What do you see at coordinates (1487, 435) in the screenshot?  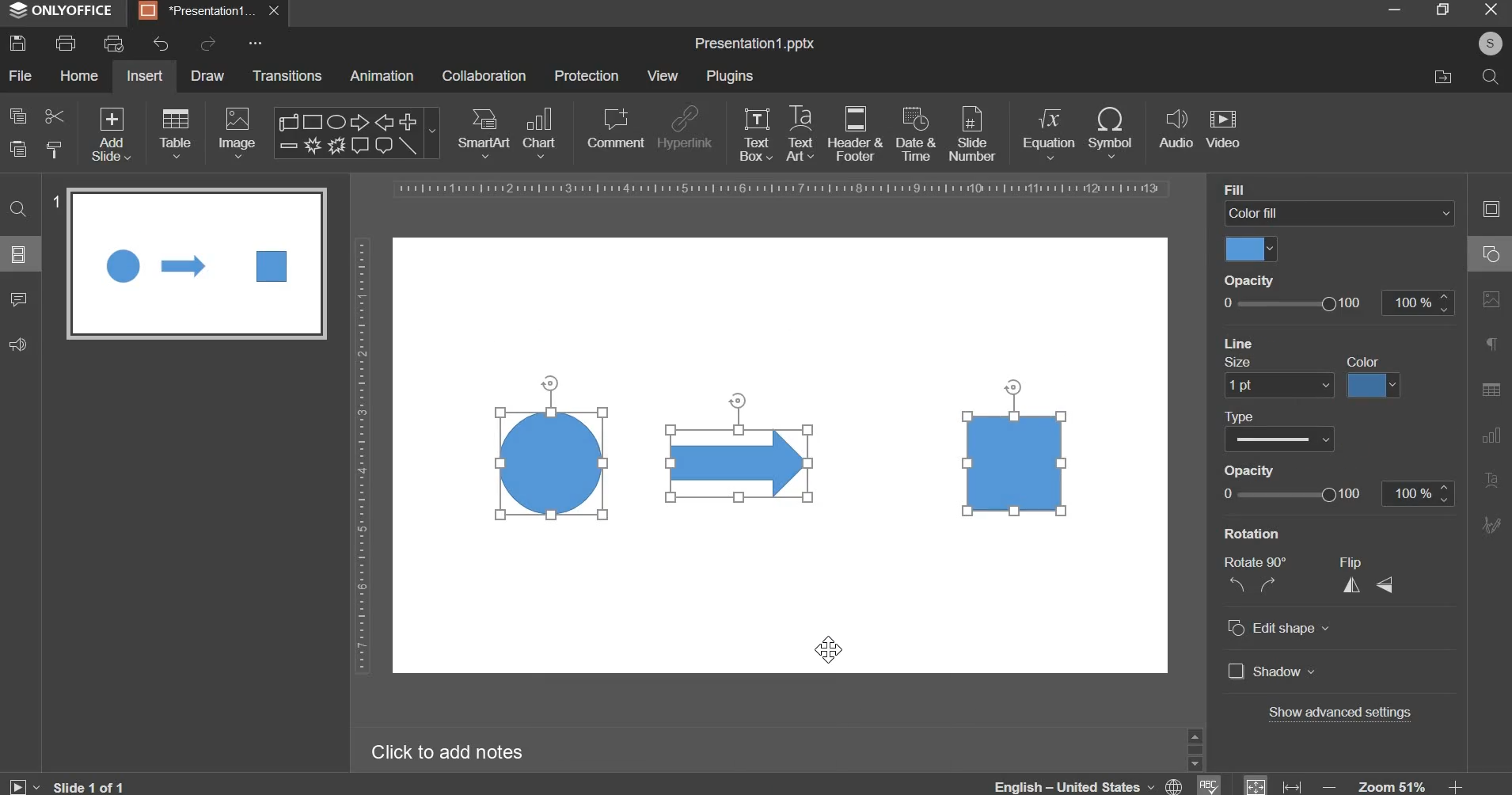 I see `chart settings` at bounding box center [1487, 435].